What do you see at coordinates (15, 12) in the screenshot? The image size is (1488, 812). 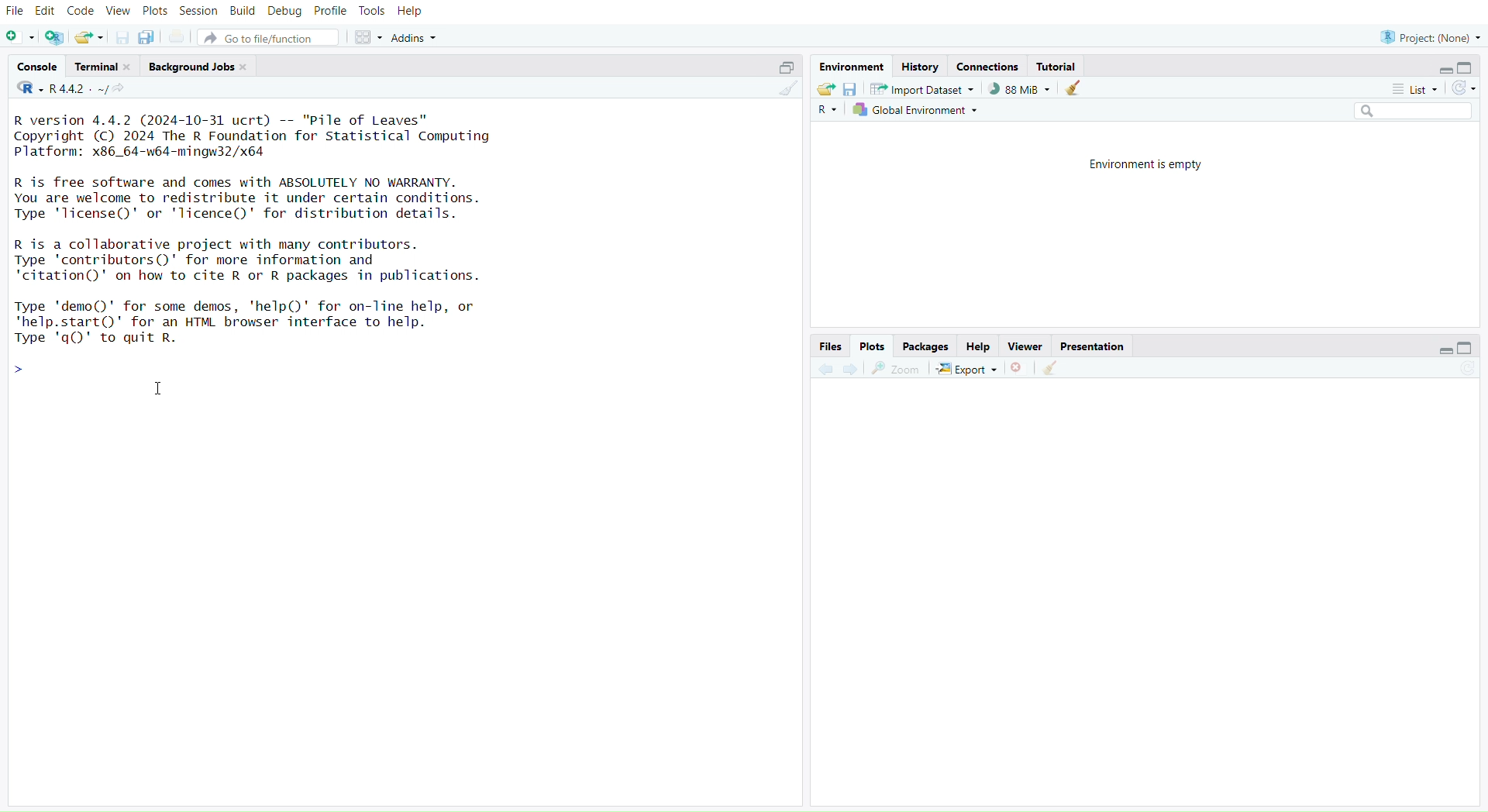 I see `file` at bounding box center [15, 12].